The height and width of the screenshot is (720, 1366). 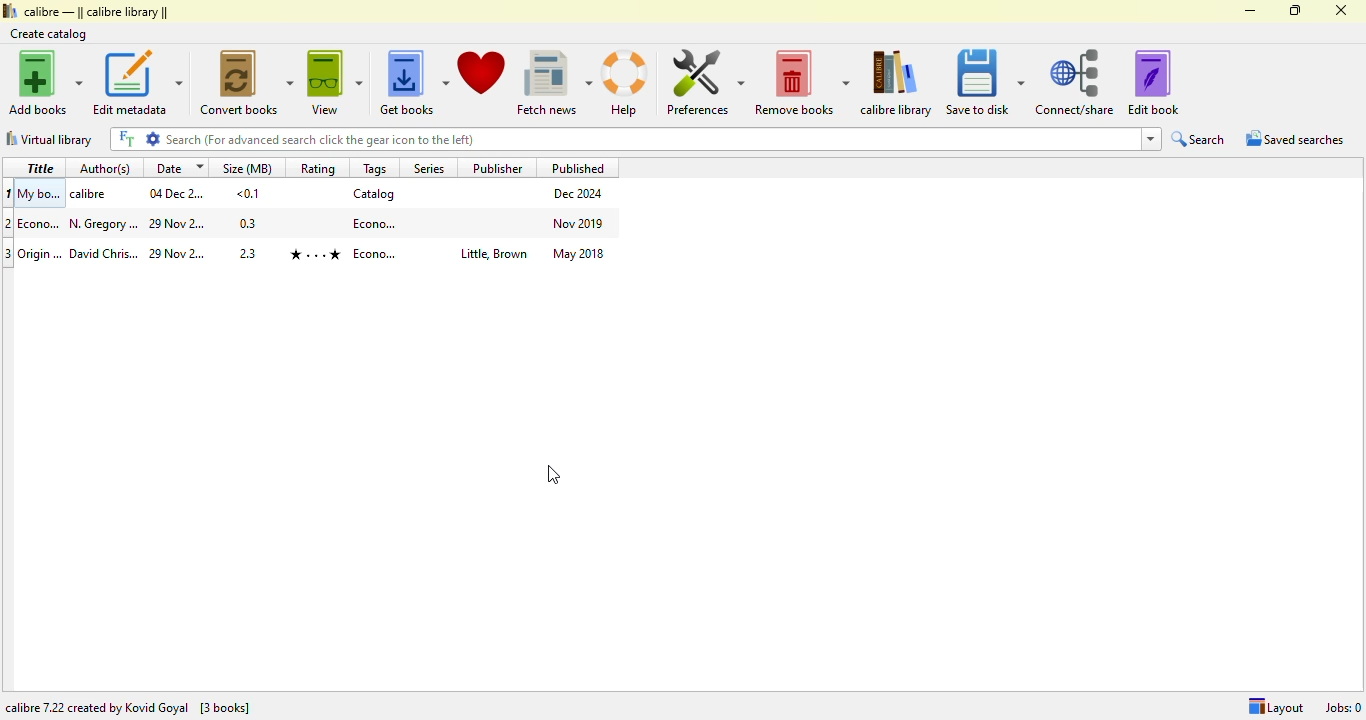 What do you see at coordinates (801, 82) in the screenshot?
I see `remove books` at bounding box center [801, 82].